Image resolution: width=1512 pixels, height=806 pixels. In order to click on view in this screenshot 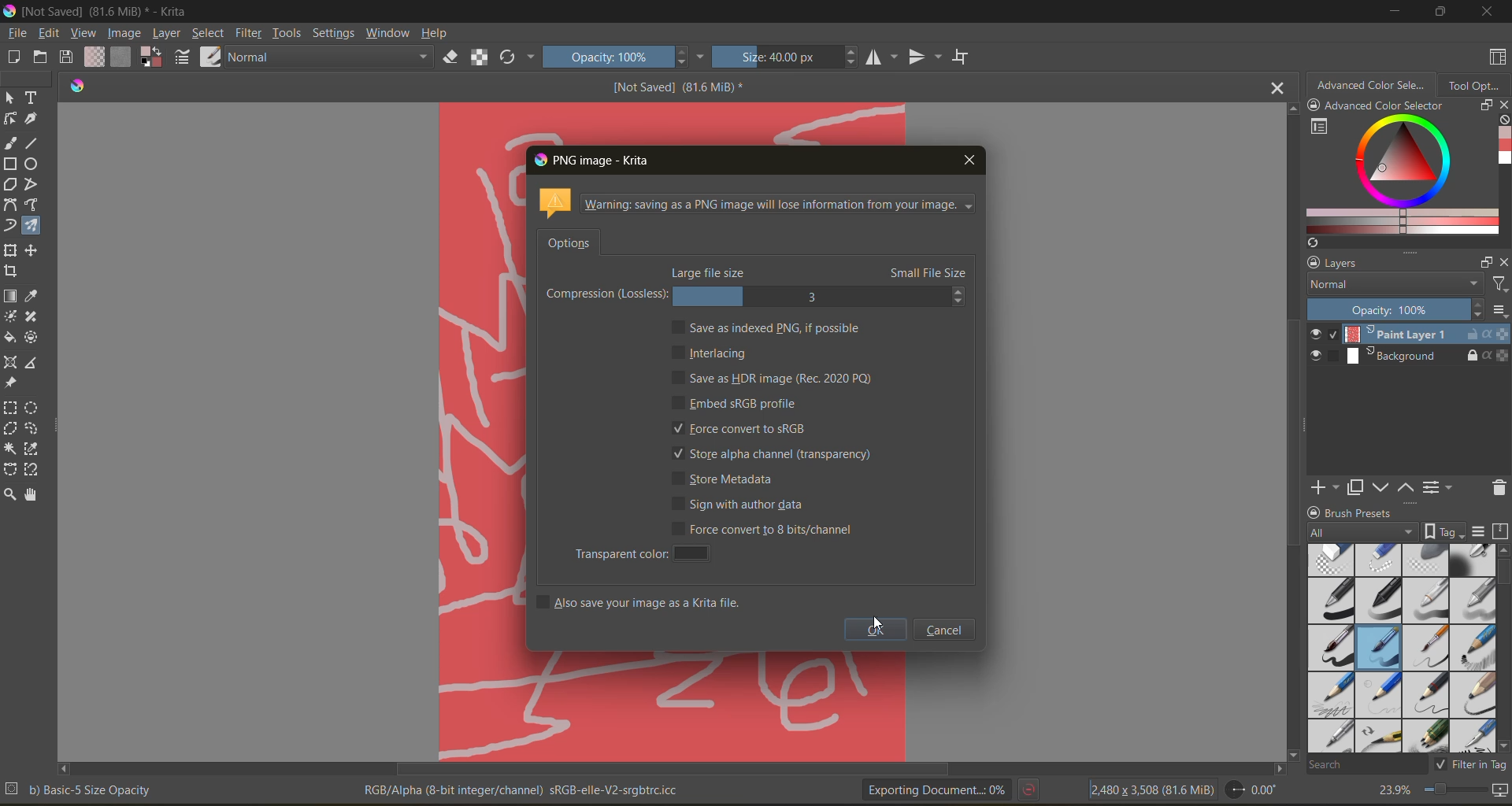, I will do `click(84, 33)`.